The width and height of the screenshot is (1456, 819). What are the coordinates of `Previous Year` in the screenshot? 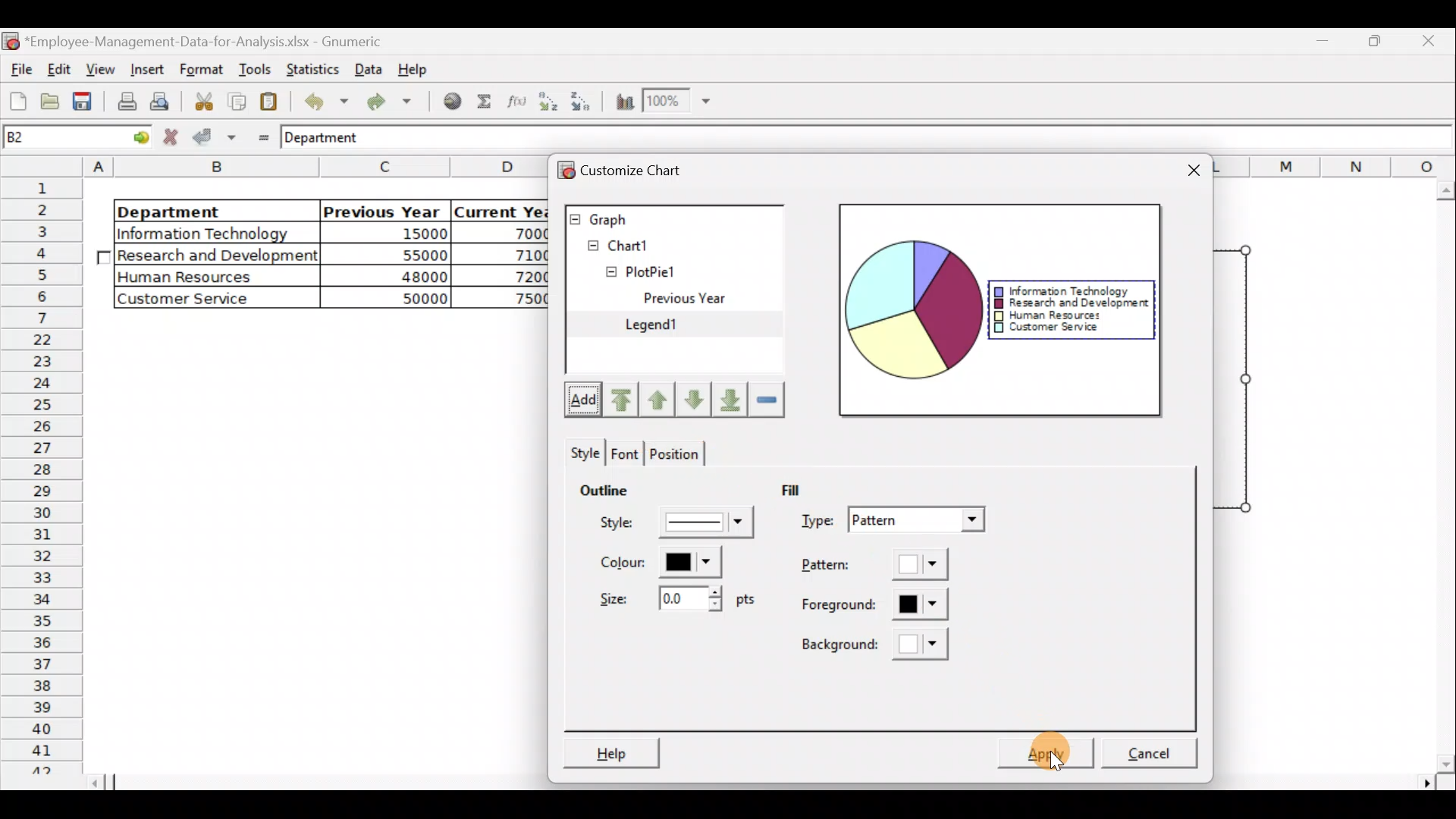 It's located at (717, 299).